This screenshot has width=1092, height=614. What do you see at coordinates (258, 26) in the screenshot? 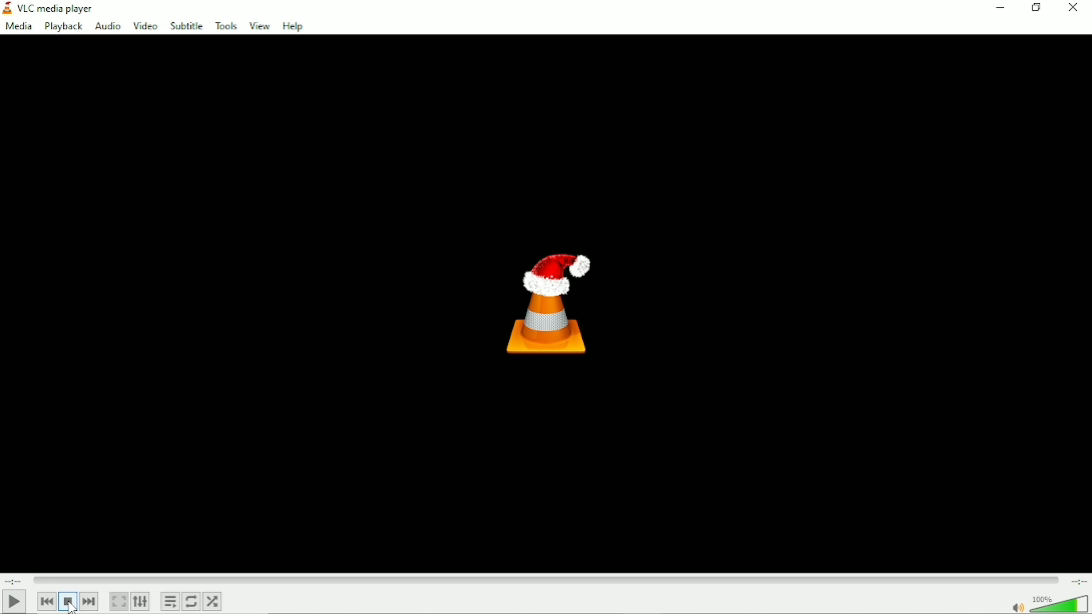
I see `View` at bounding box center [258, 26].